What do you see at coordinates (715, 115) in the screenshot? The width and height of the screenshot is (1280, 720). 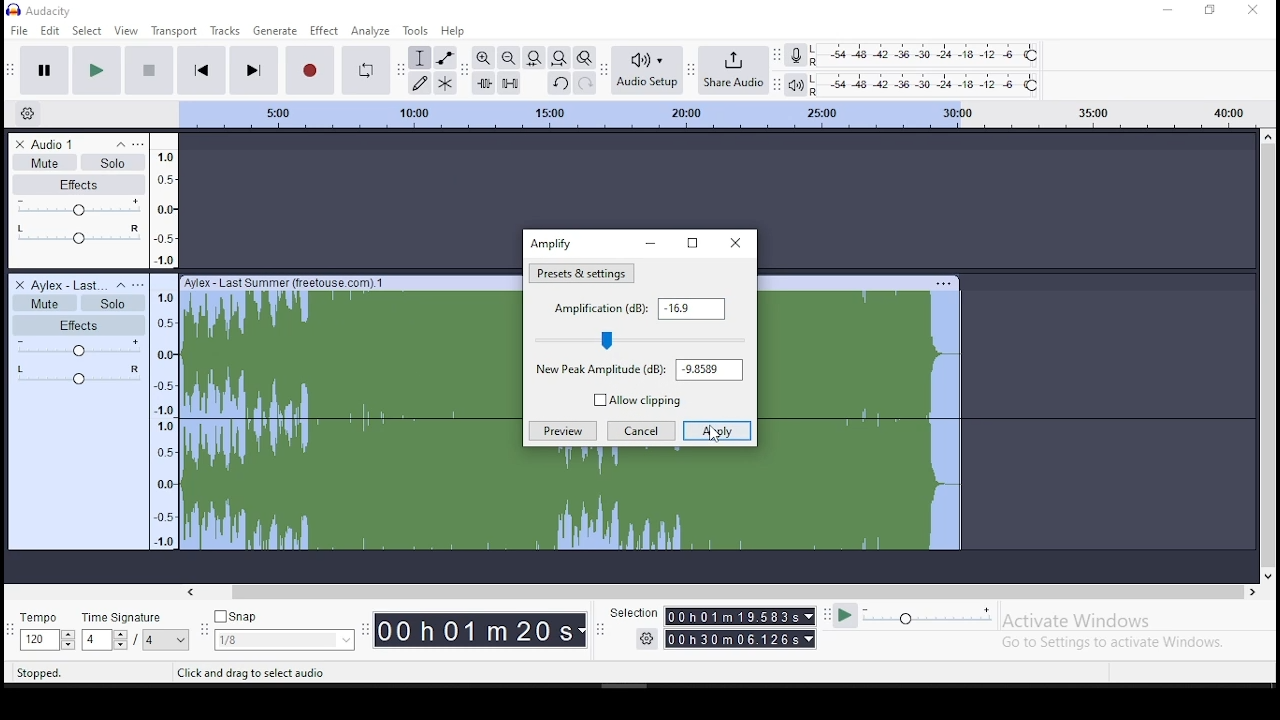 I see `scale` at bounding box center [715, 115].